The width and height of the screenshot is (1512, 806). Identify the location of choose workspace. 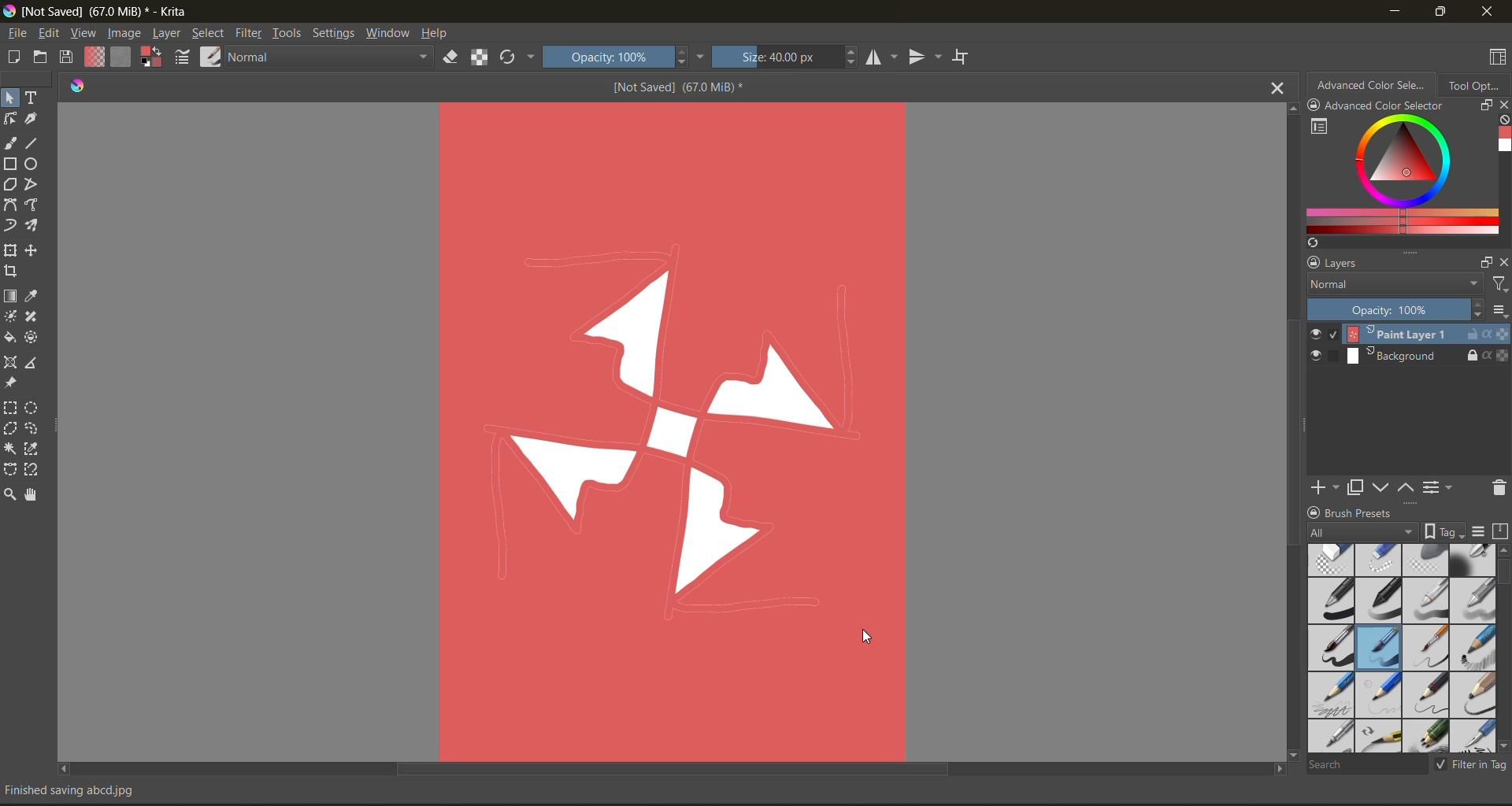
(1499, 57).